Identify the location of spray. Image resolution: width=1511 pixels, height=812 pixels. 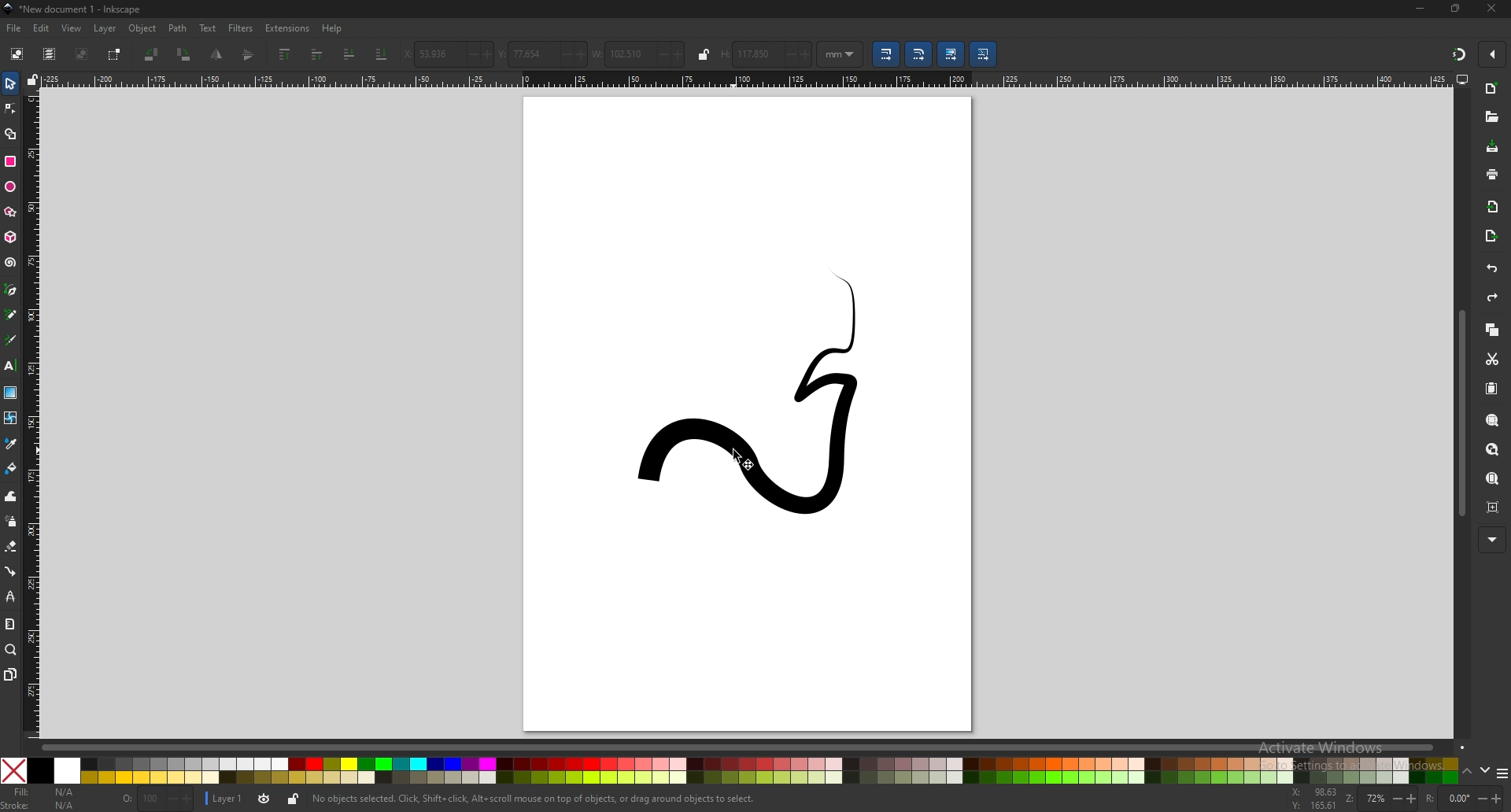
(12, 521).